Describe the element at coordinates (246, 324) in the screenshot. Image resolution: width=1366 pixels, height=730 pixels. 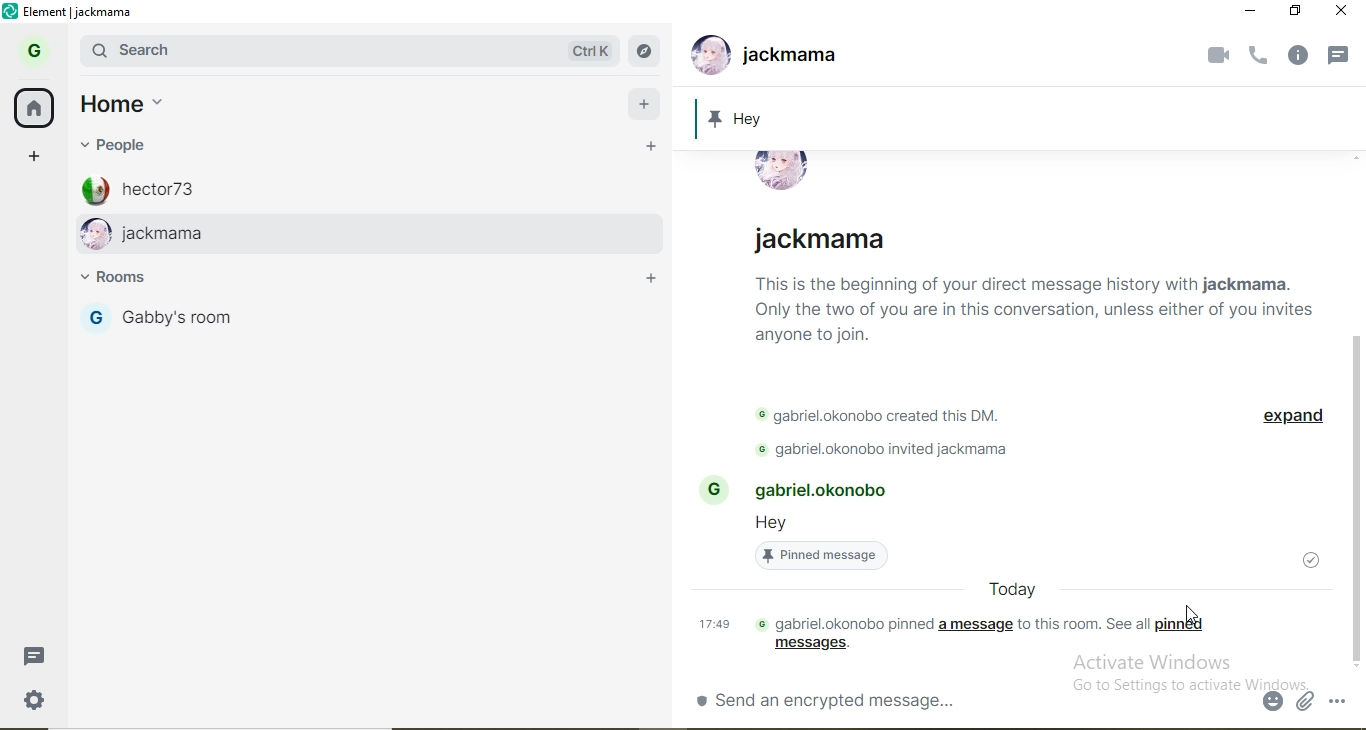
I see `gabby's room` at that location.